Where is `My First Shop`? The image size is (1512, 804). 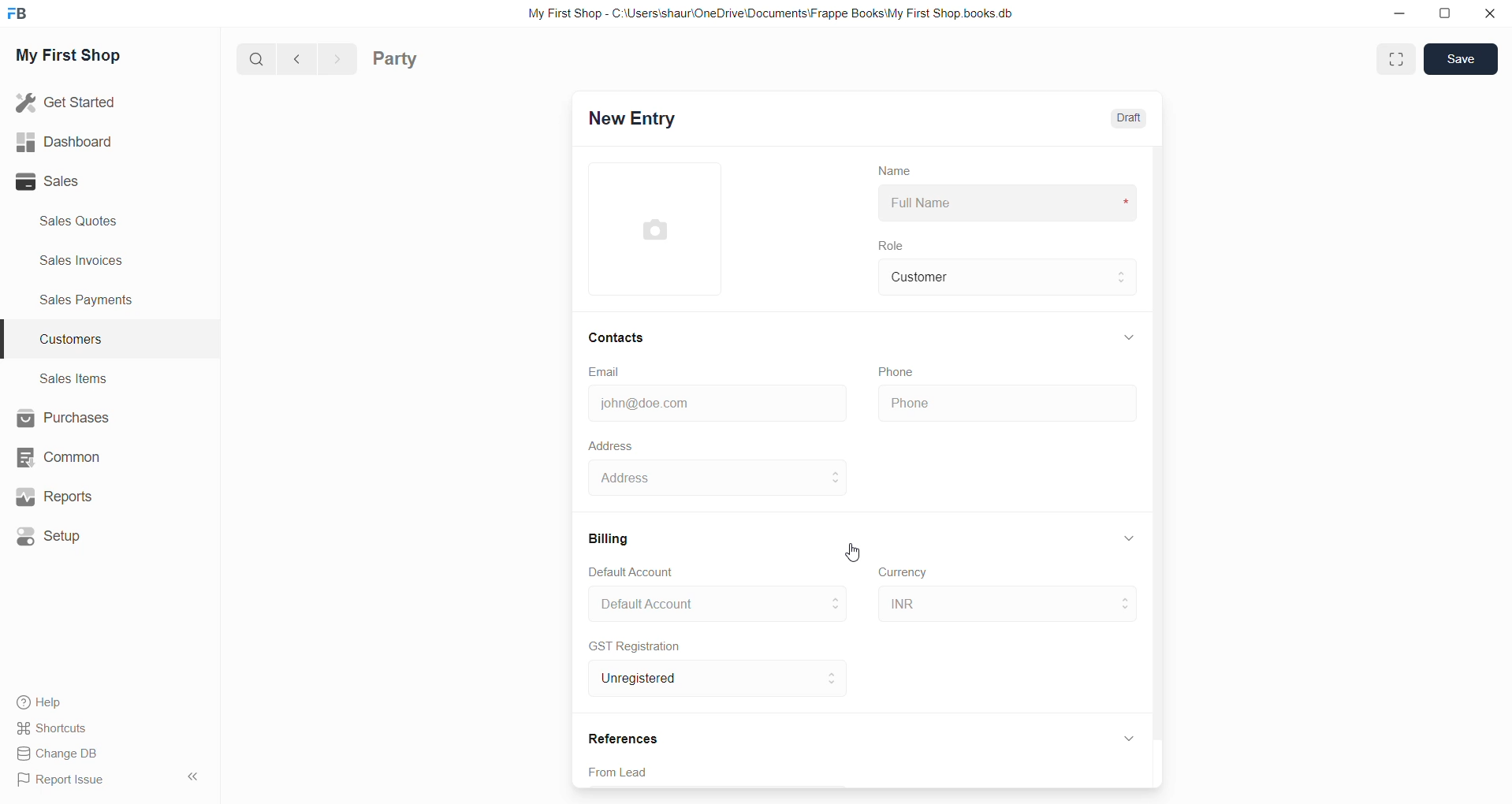 My First Shop is located at coordinates (87, 60).